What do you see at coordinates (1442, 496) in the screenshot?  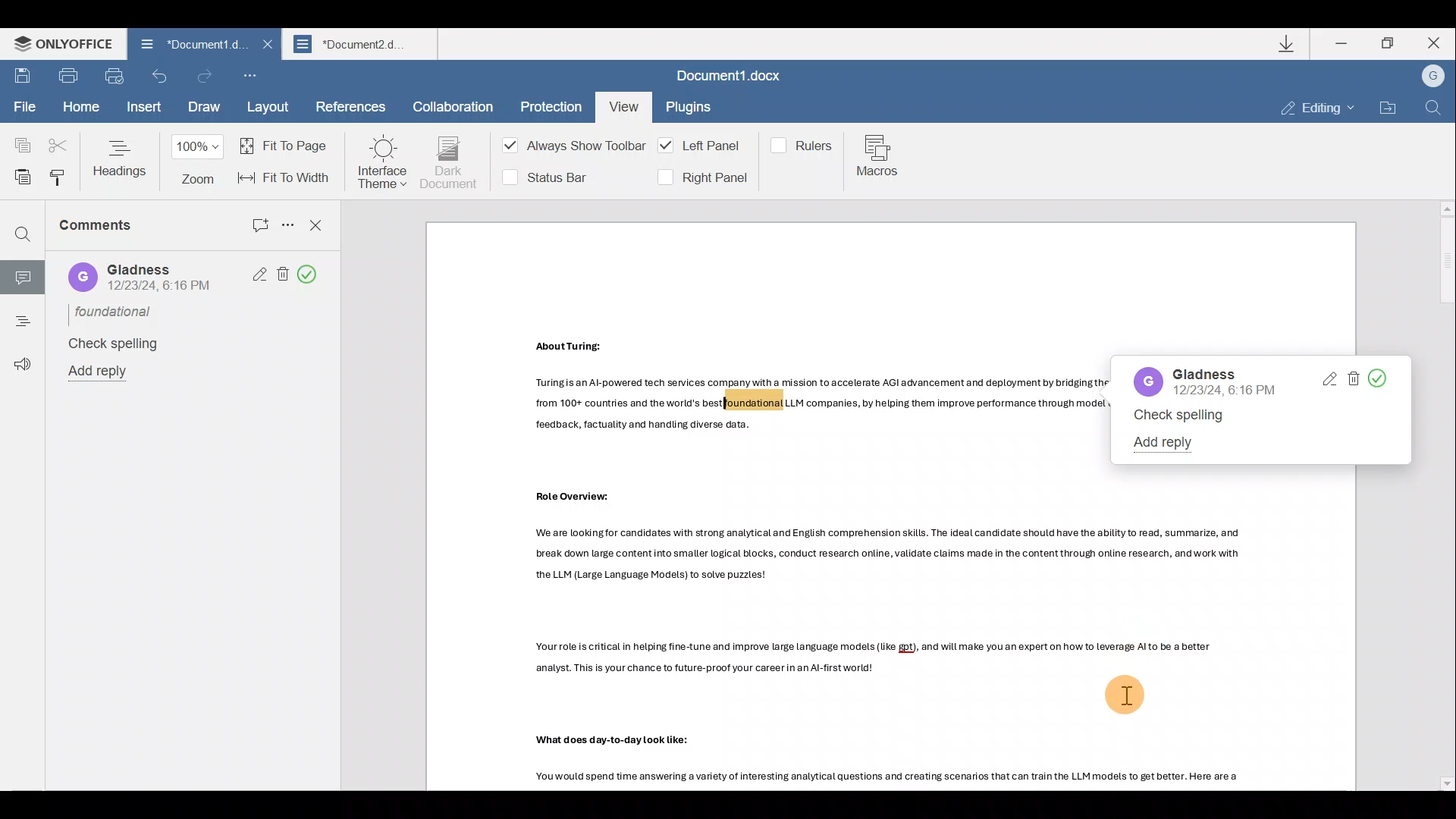 I see `Scroll bar` at bounding box center [1442, 496].